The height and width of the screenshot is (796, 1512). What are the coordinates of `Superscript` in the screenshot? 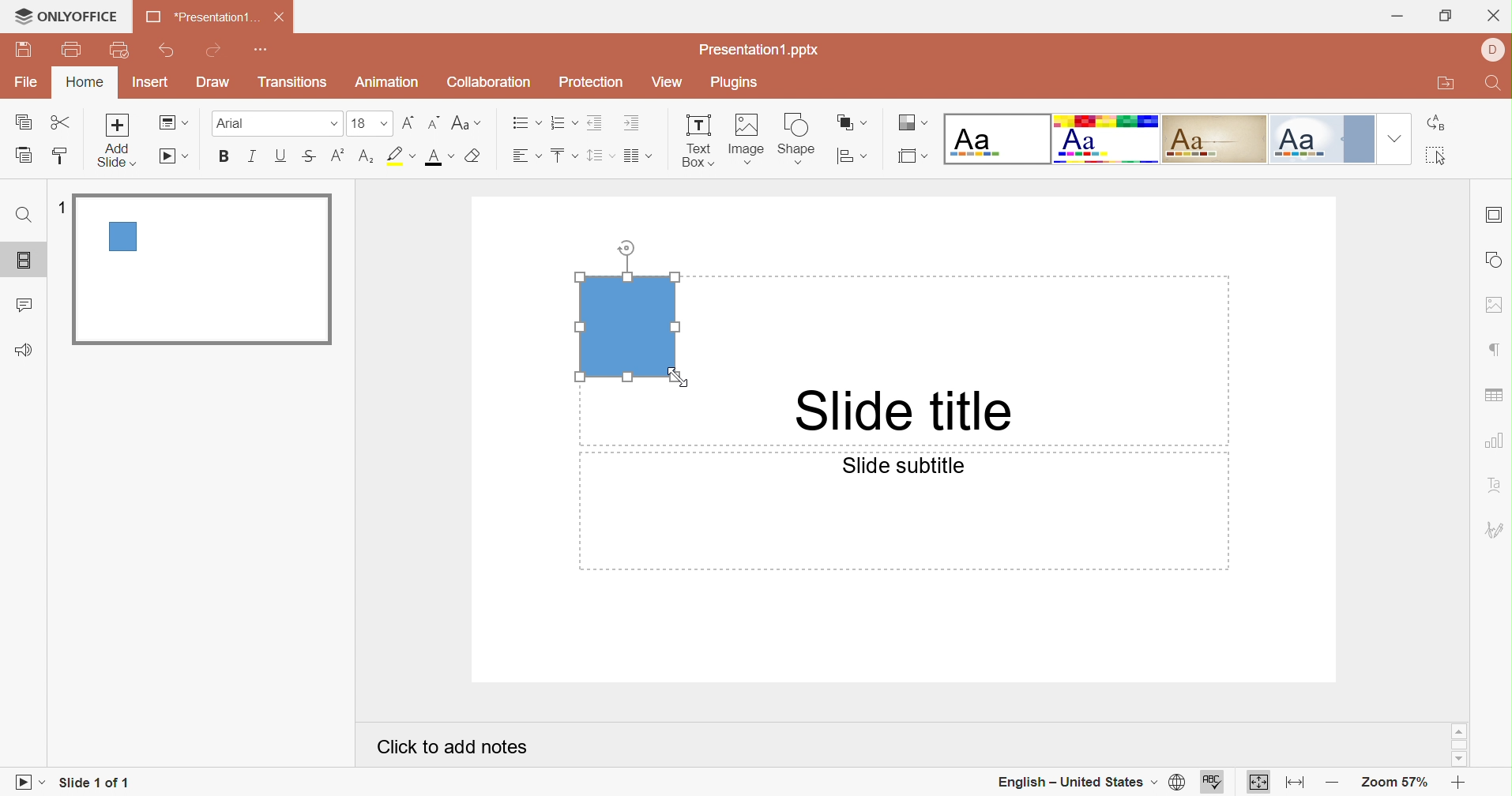 It's located at (336, 160).